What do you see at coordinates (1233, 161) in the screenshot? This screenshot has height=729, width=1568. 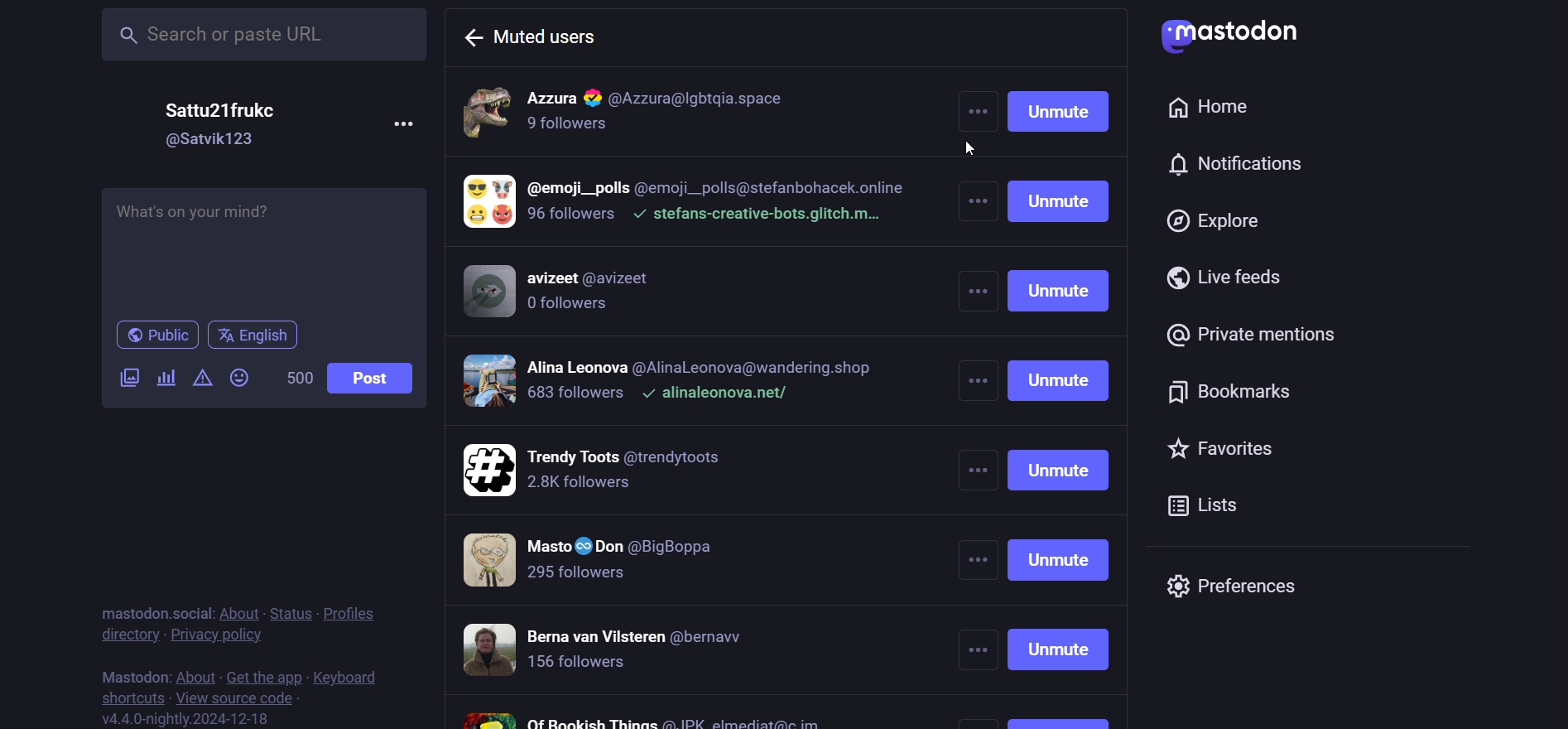 I see `notification` at bounding box center [1233, 161].